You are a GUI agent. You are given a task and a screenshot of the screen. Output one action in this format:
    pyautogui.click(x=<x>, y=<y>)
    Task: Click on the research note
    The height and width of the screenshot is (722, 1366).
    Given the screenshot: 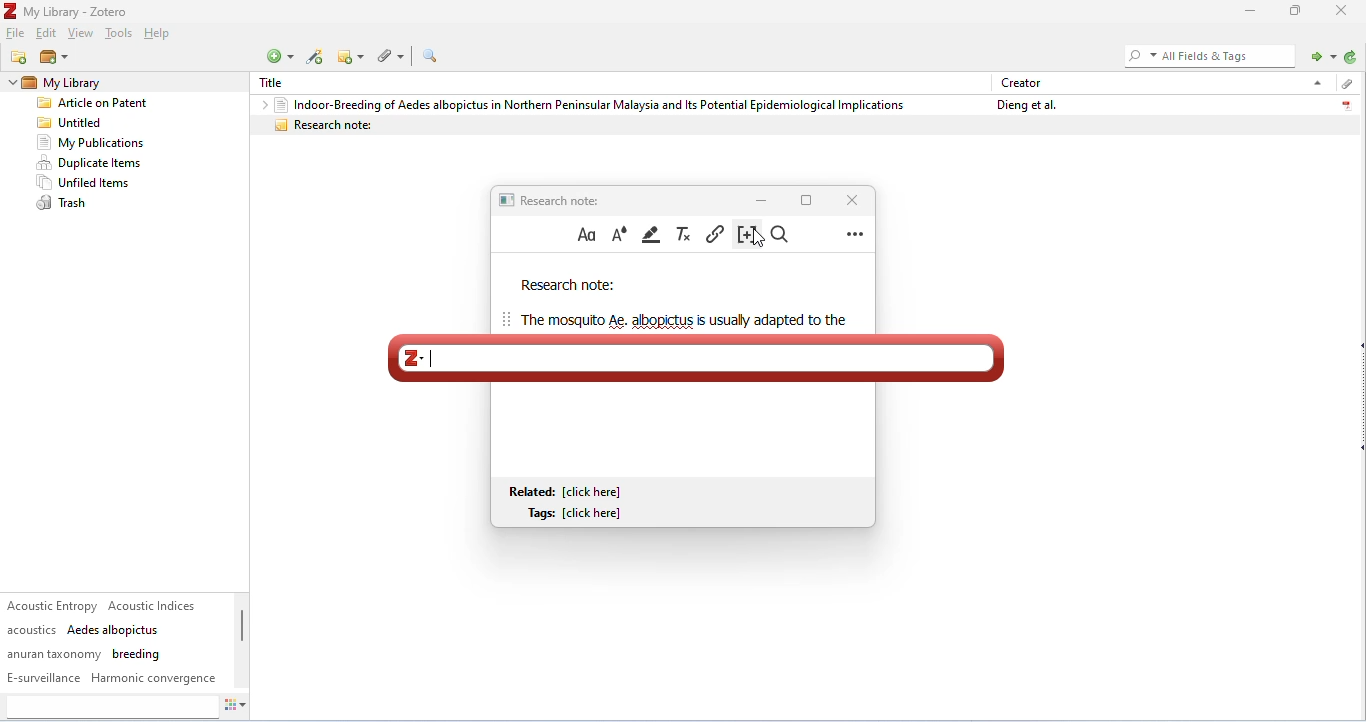 What is the action you would take?
    pyautogui.click(x=804, y=125)
    